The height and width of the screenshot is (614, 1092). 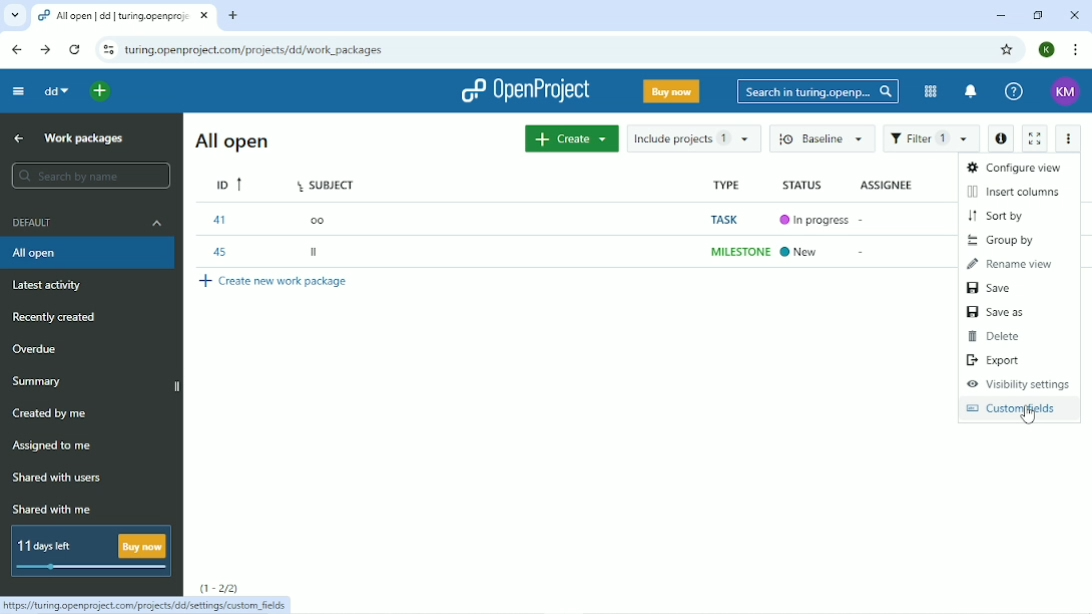 What do you see at coordinates (87, 176) in the screenshot?
I see `Search by name` at bounding box center [87, 176].